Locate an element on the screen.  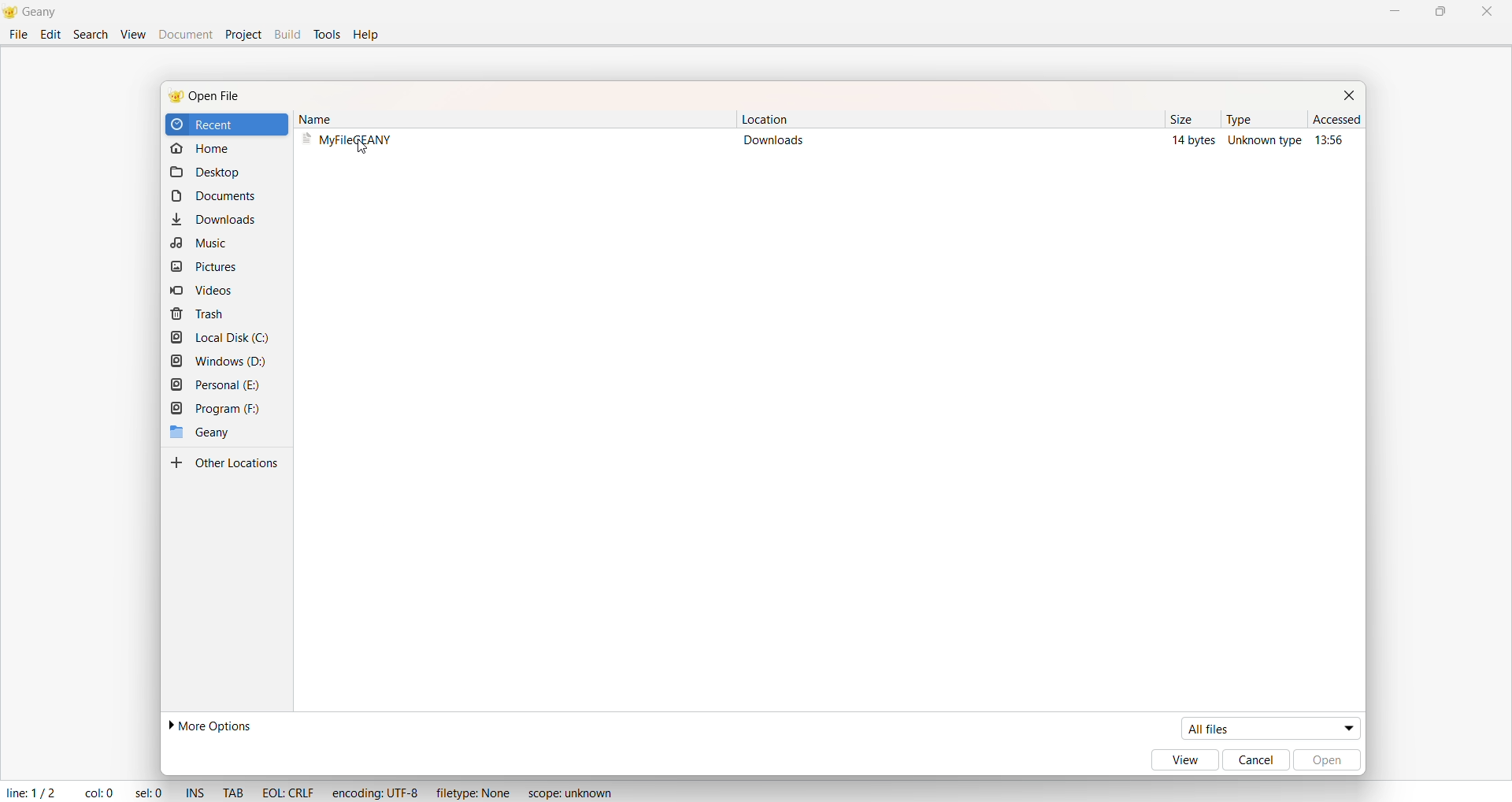
Program F is located at coordinates (215, 410).